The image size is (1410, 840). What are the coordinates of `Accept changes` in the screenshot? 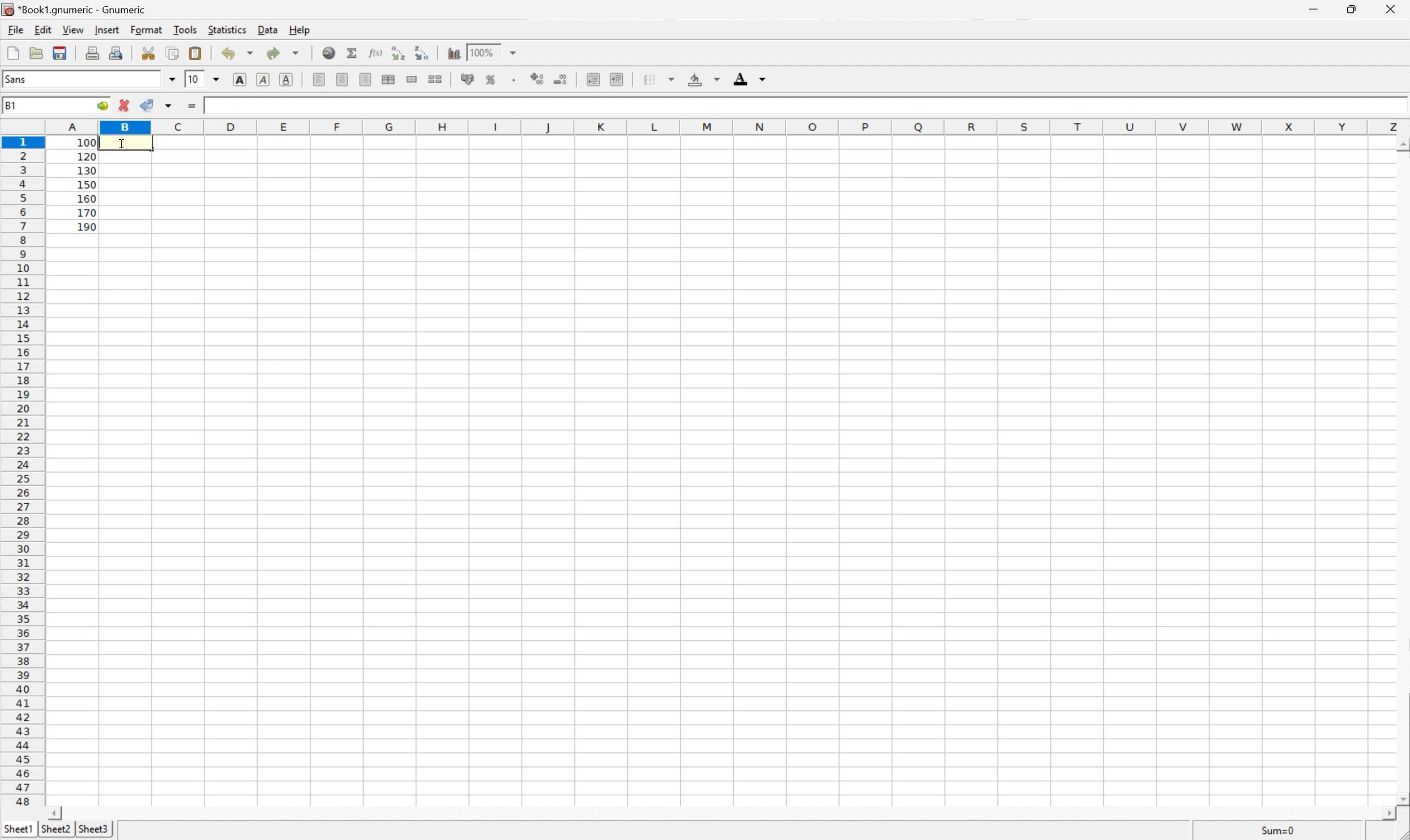 It's located at (149, 105).